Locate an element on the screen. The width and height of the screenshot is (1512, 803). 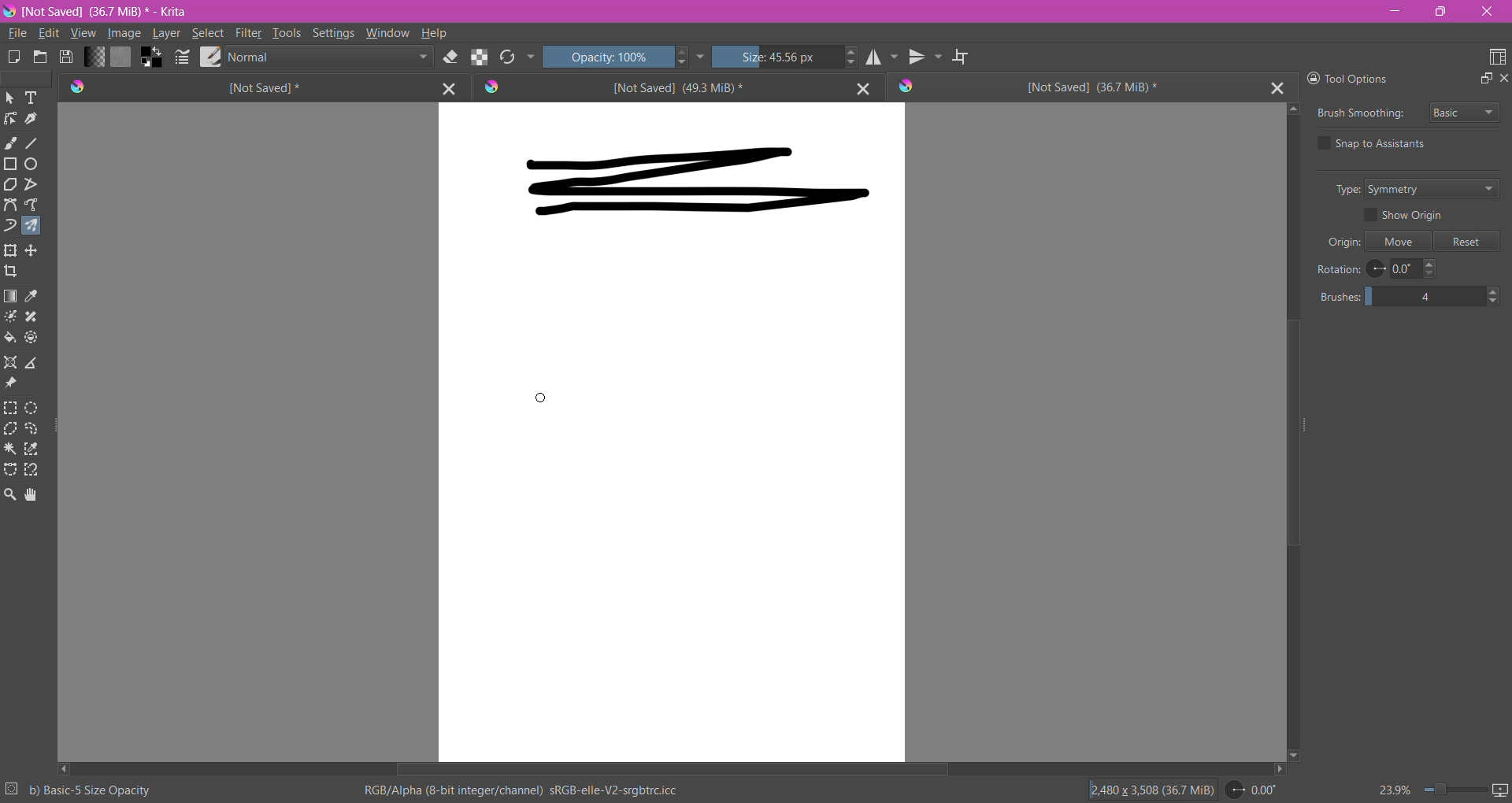
Zoom Control is located at coordinates (1428, 790).